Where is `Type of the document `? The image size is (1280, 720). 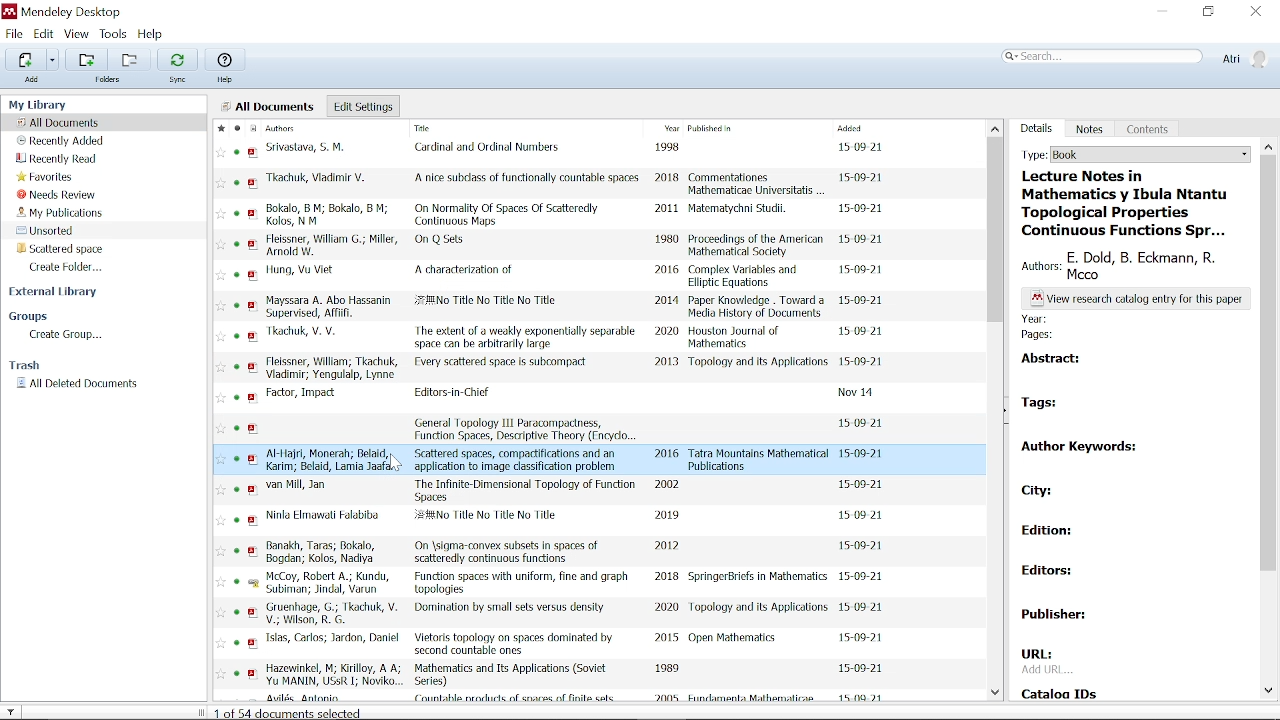
Type of the document  is located at coordinates (1269, 147).